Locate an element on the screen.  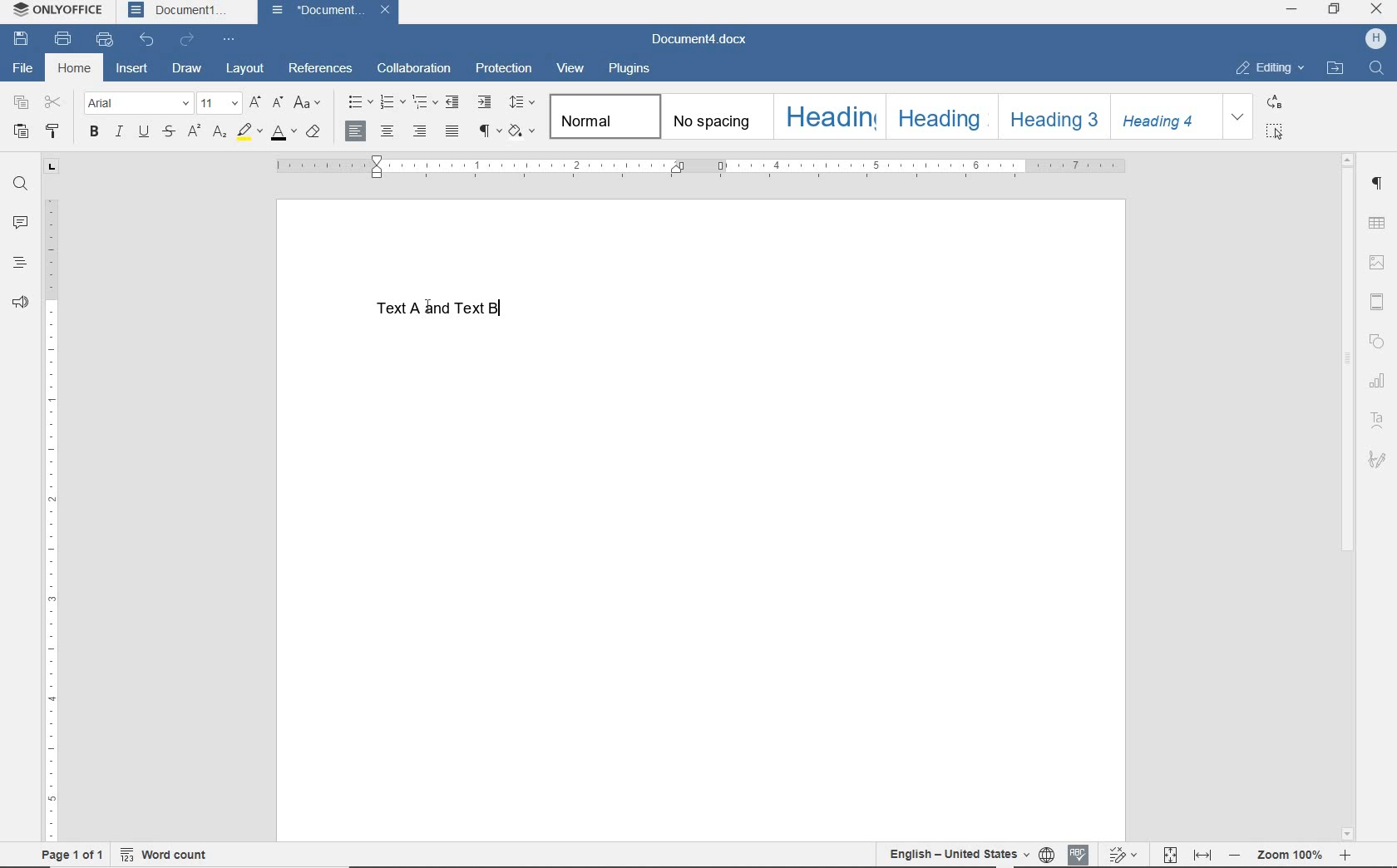
TEXT ART is located at coordinates (1377, 419).